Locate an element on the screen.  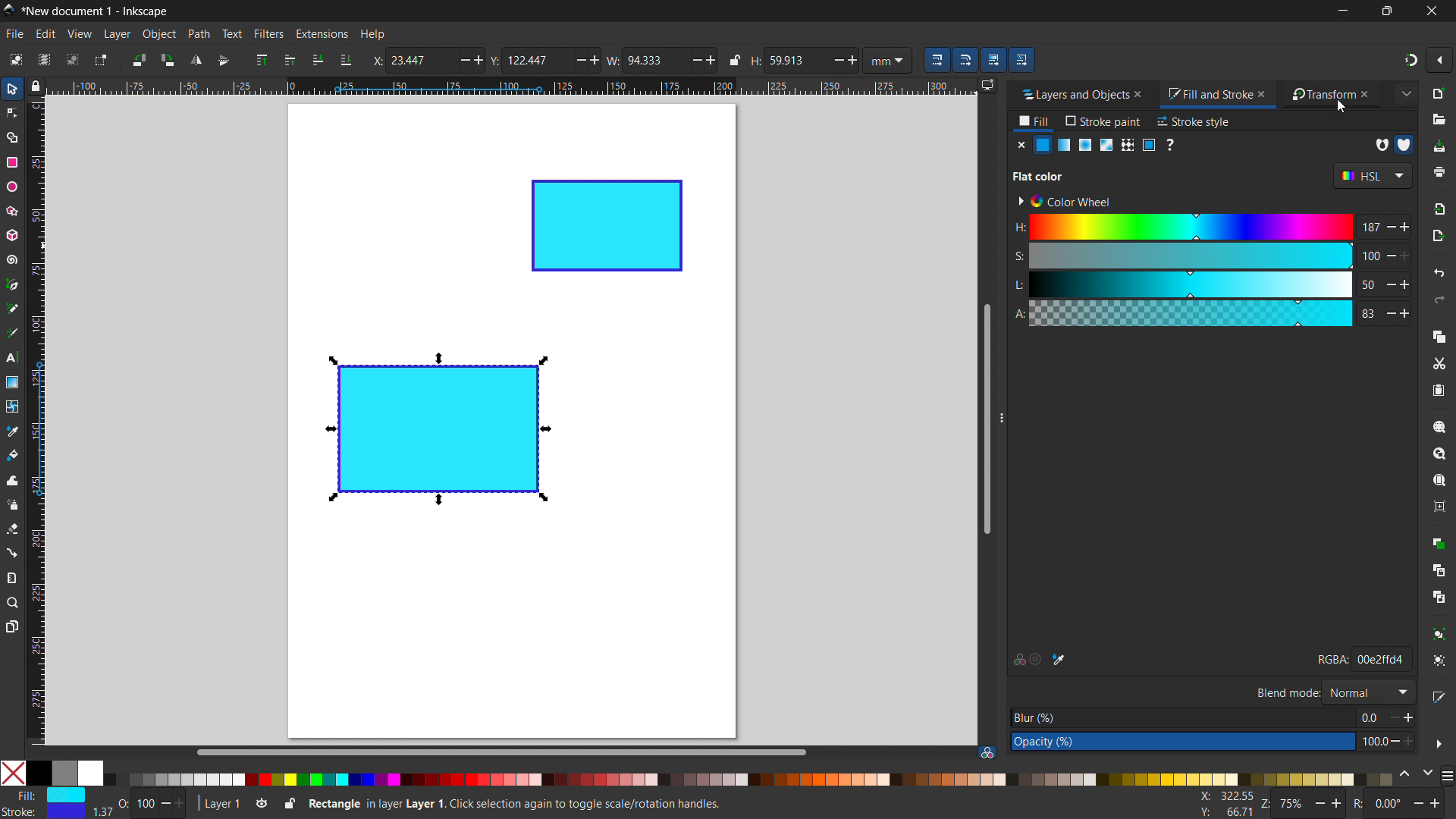
object 1 is located at coordinates (435, 429).